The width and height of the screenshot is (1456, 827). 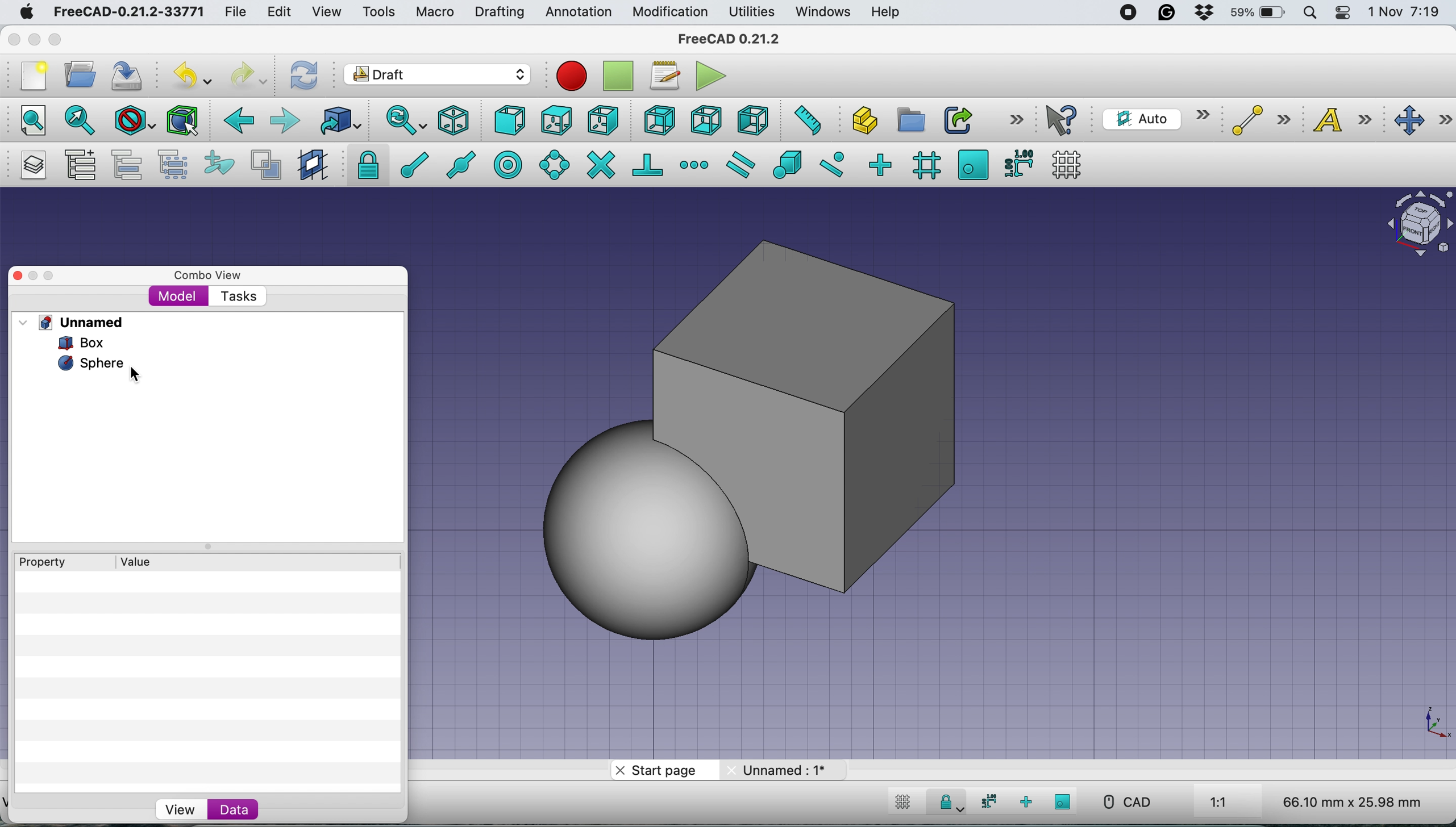 What do you see at coordinates (621, 76) in the screenshot?
I see `stop recording macros` at bounding box center [621, 76].